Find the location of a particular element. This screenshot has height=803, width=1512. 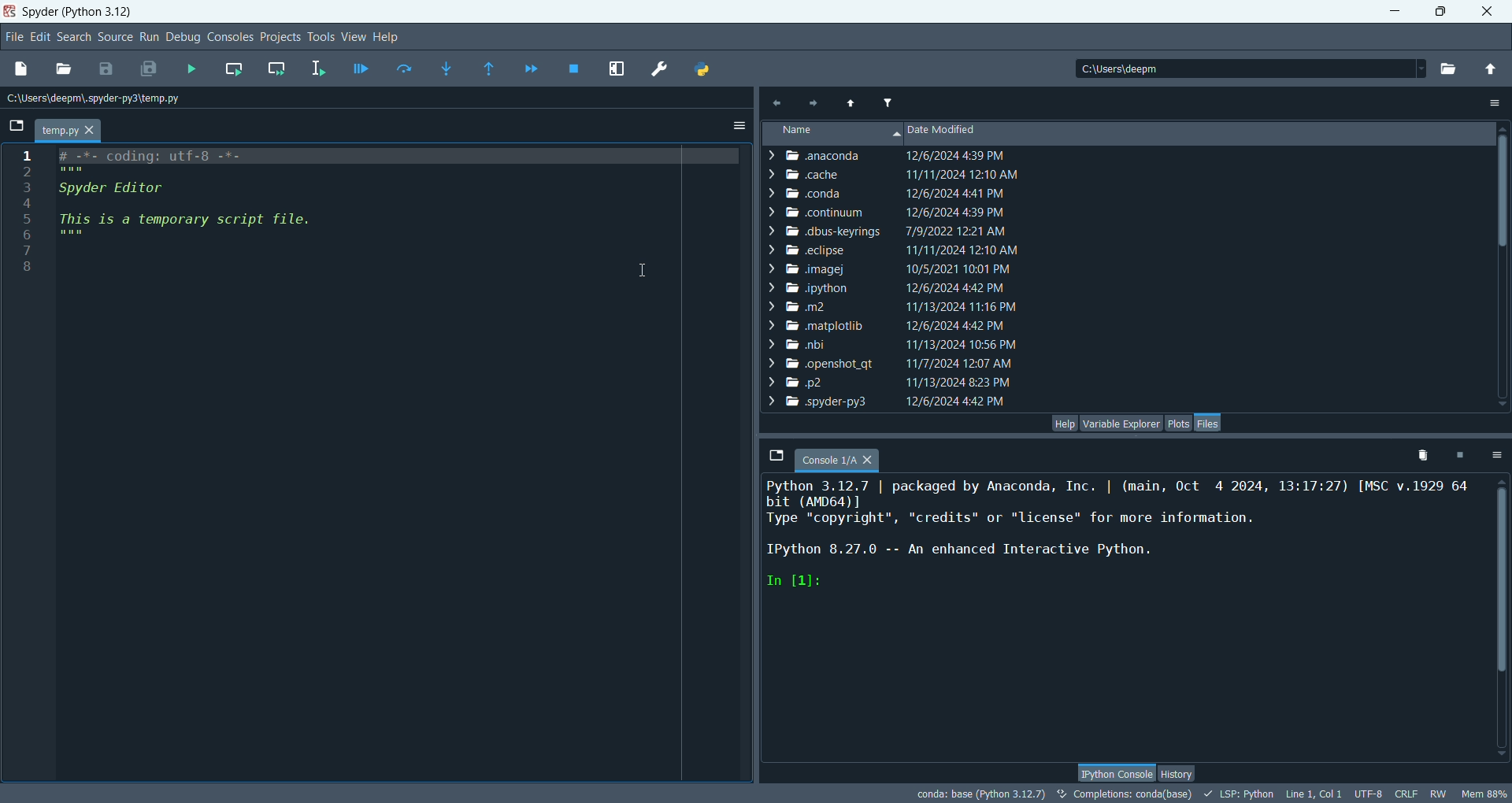

browse a working directory is located at coordinates (1448, 69).